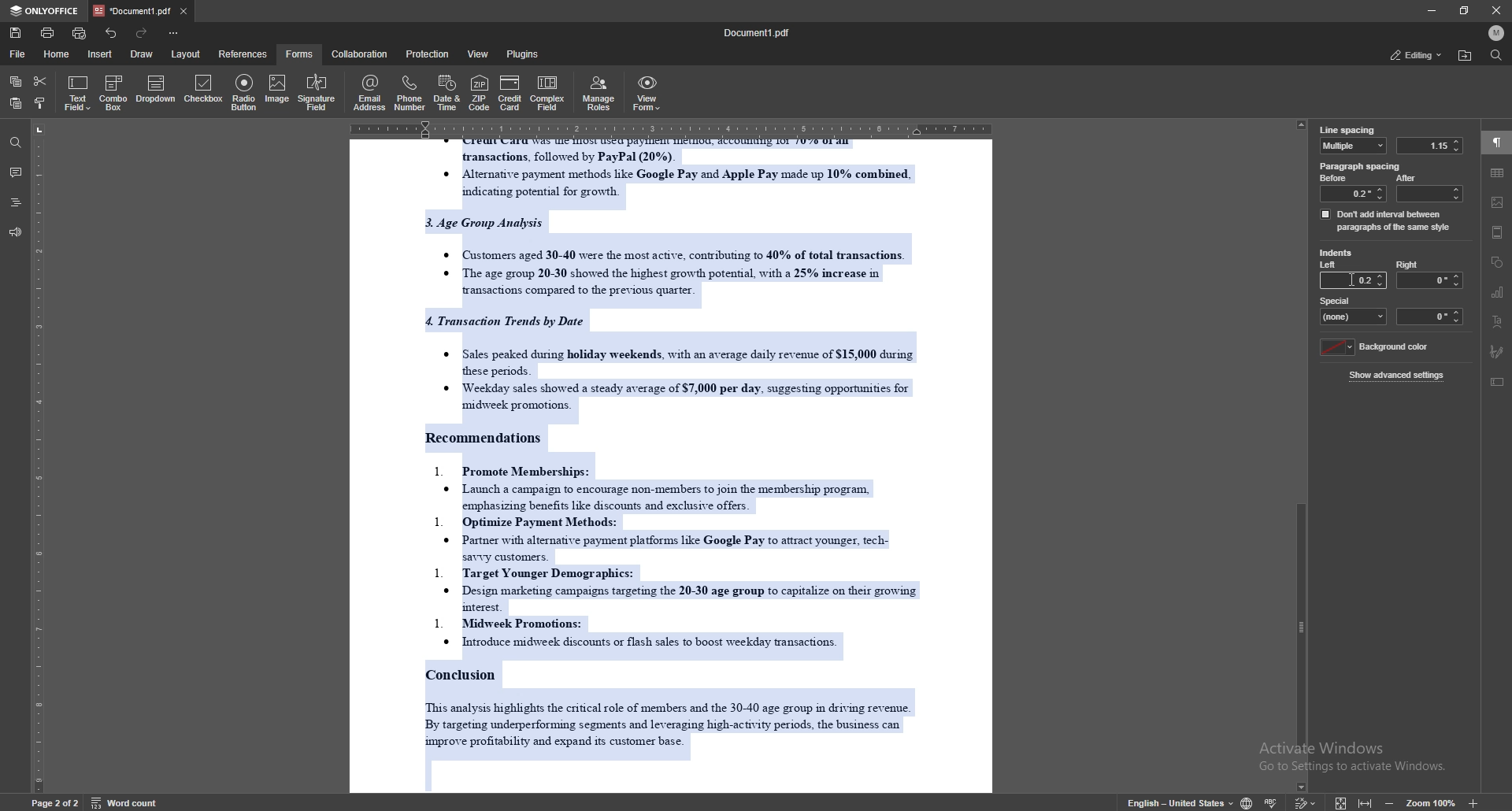  Describe the element at coordinates (81, 33) in the screenshot. I see `quick print` at that location.